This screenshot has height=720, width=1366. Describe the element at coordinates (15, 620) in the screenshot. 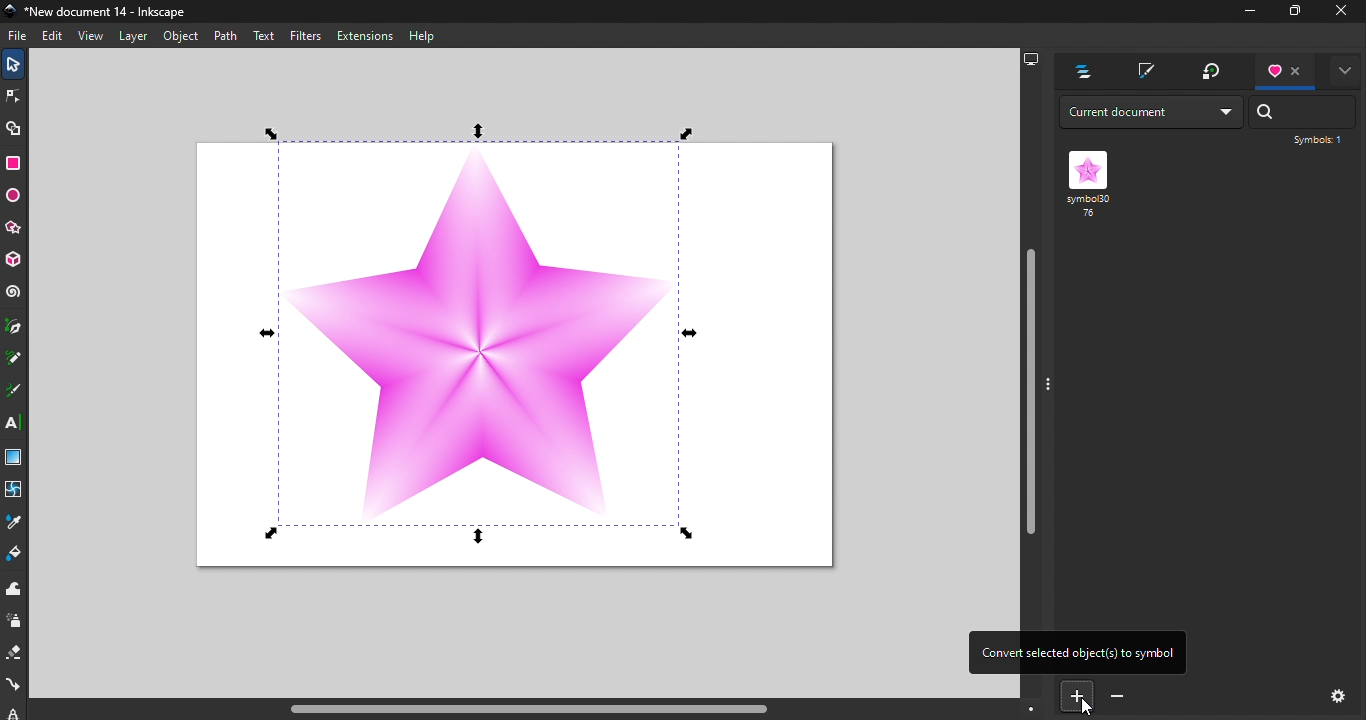

I see `Spray tool` at that location.